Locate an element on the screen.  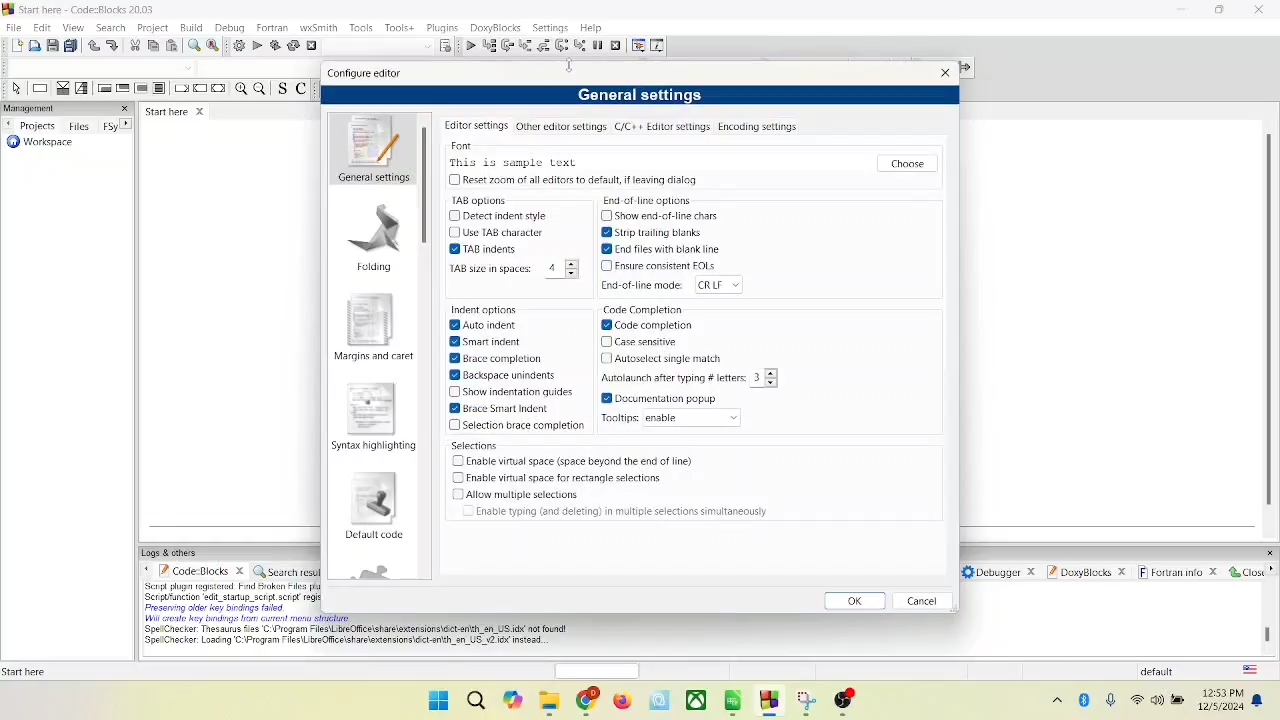
scroll bar is located at coordinates (428, 343).